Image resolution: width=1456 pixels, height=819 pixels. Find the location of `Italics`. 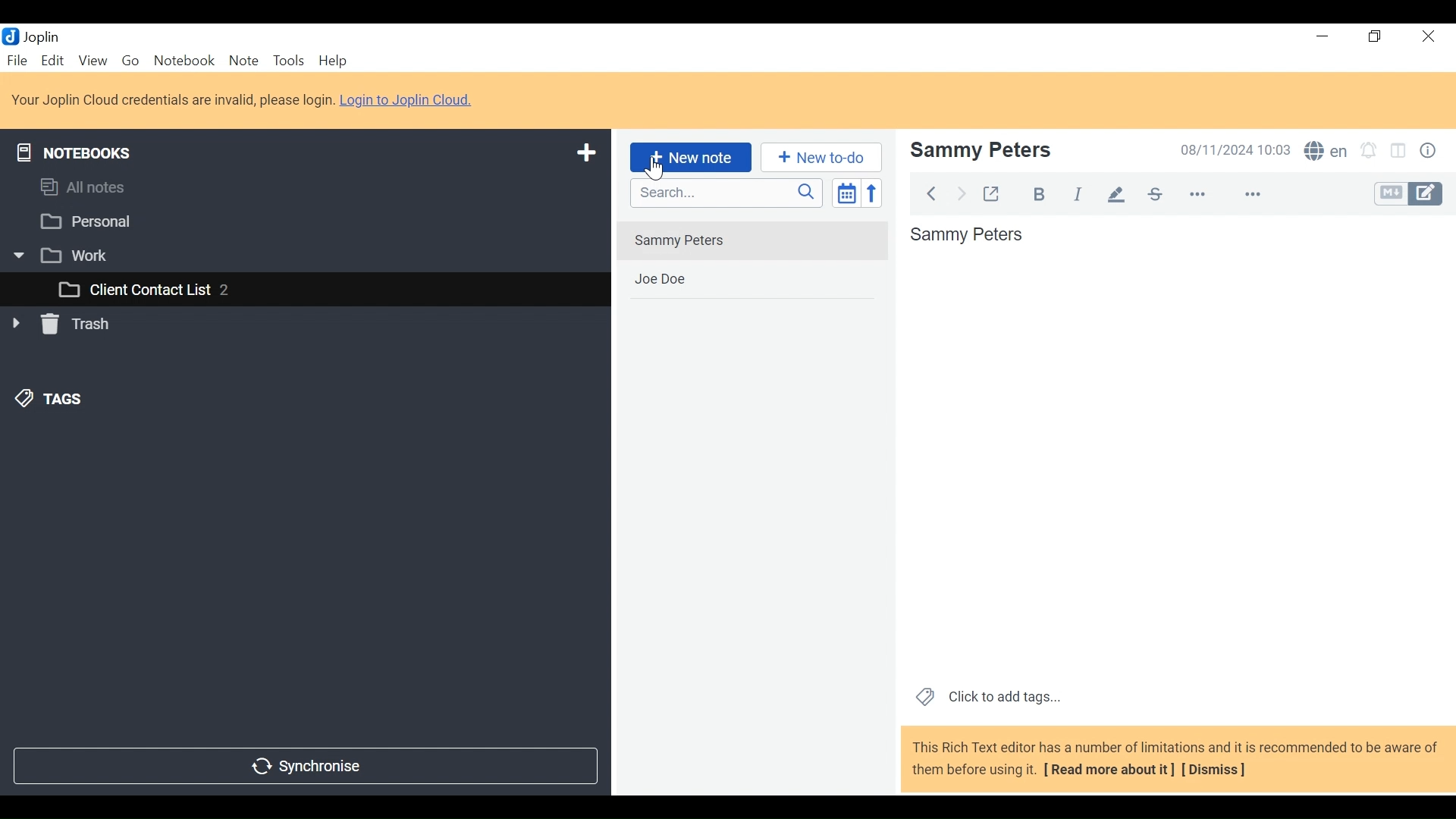

Italics is located at coordinates (1078, 194).